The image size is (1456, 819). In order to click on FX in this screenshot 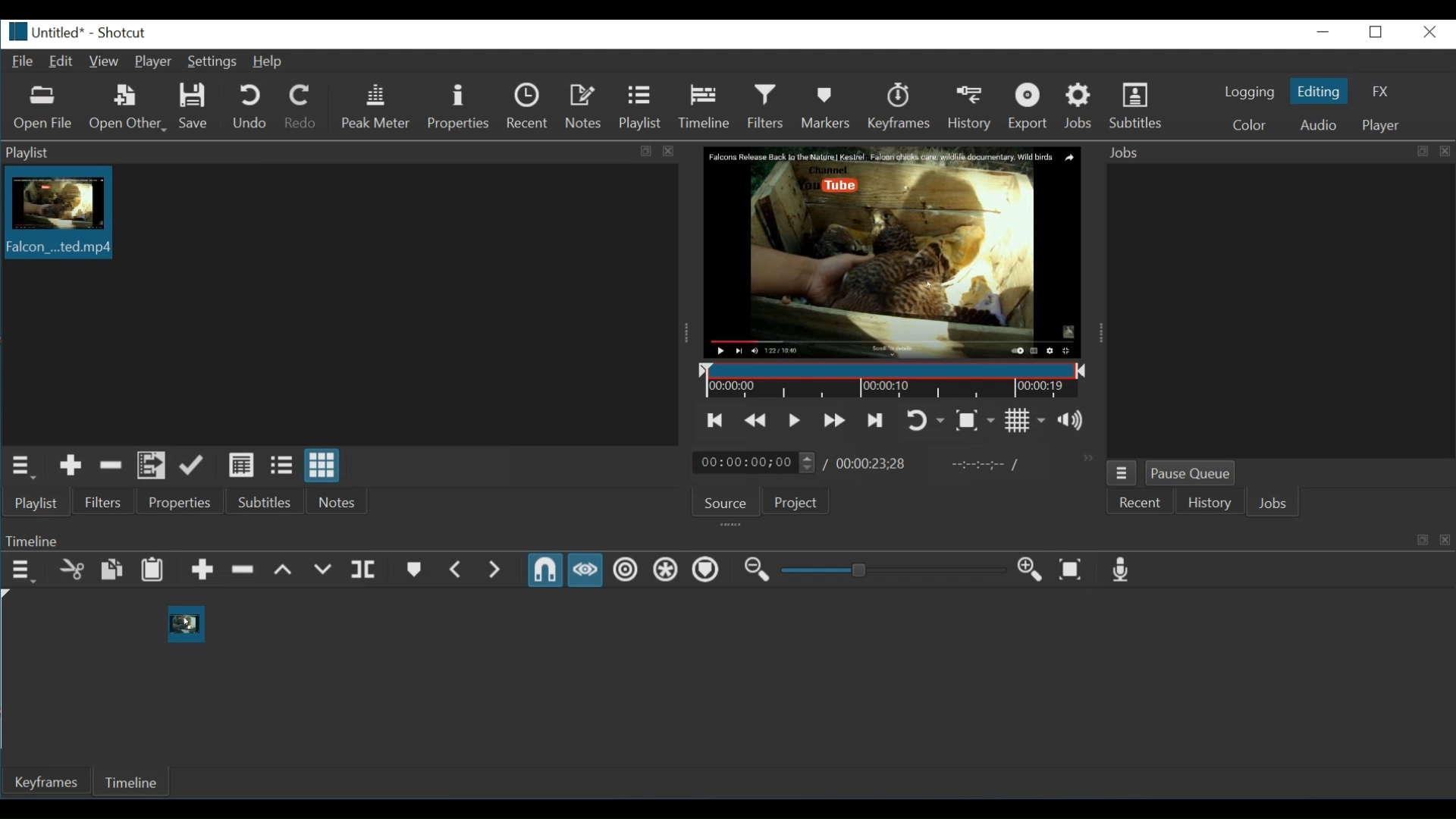, I will do `click(1379, 91)`.